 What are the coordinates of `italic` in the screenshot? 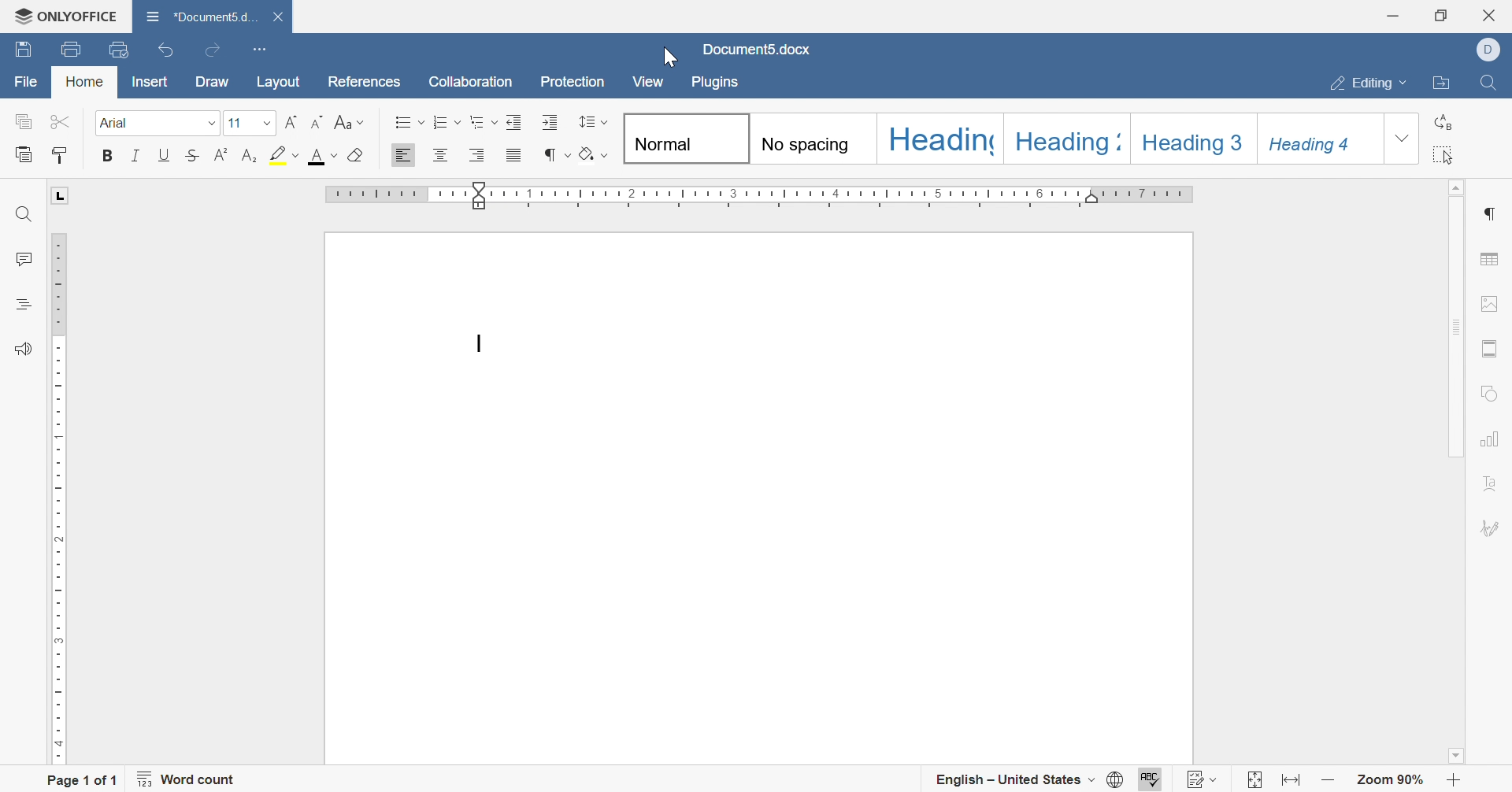 It's located at (135, 156).